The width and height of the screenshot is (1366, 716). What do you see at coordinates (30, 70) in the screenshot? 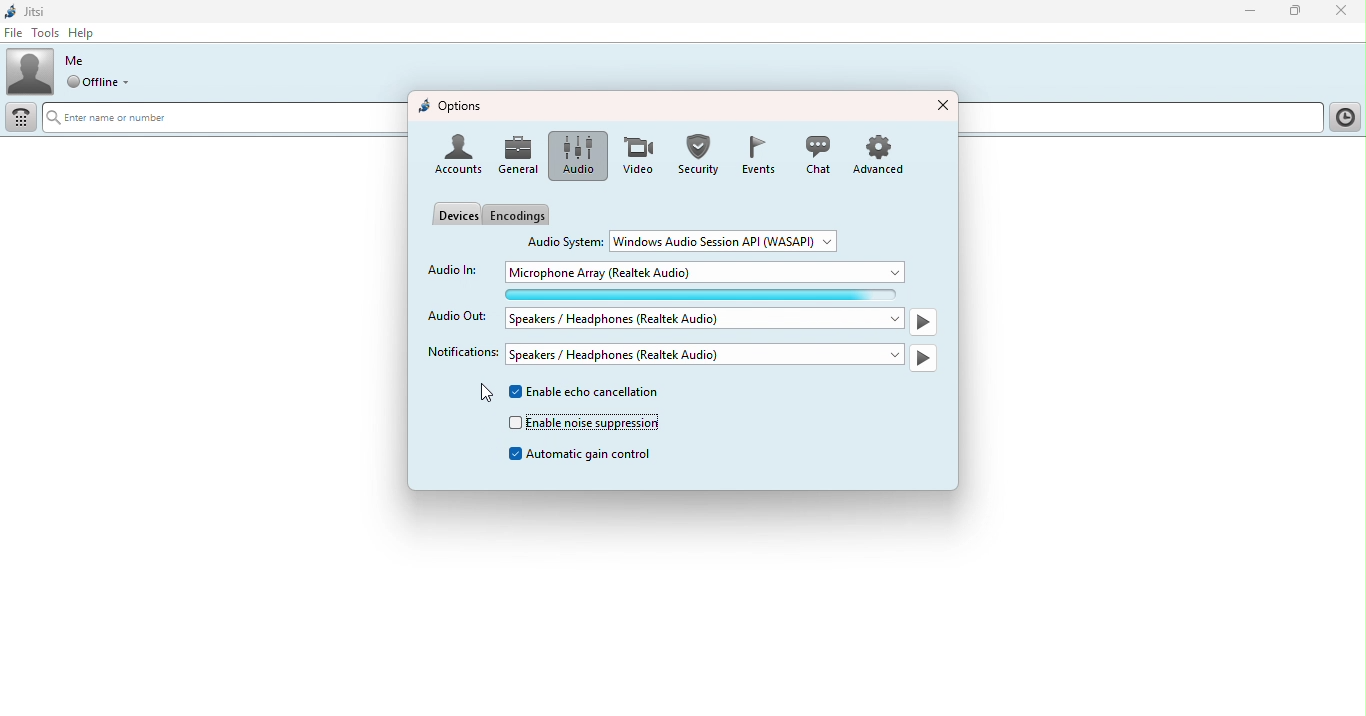
I see `Profile picture` at bounding box center [30, 70].